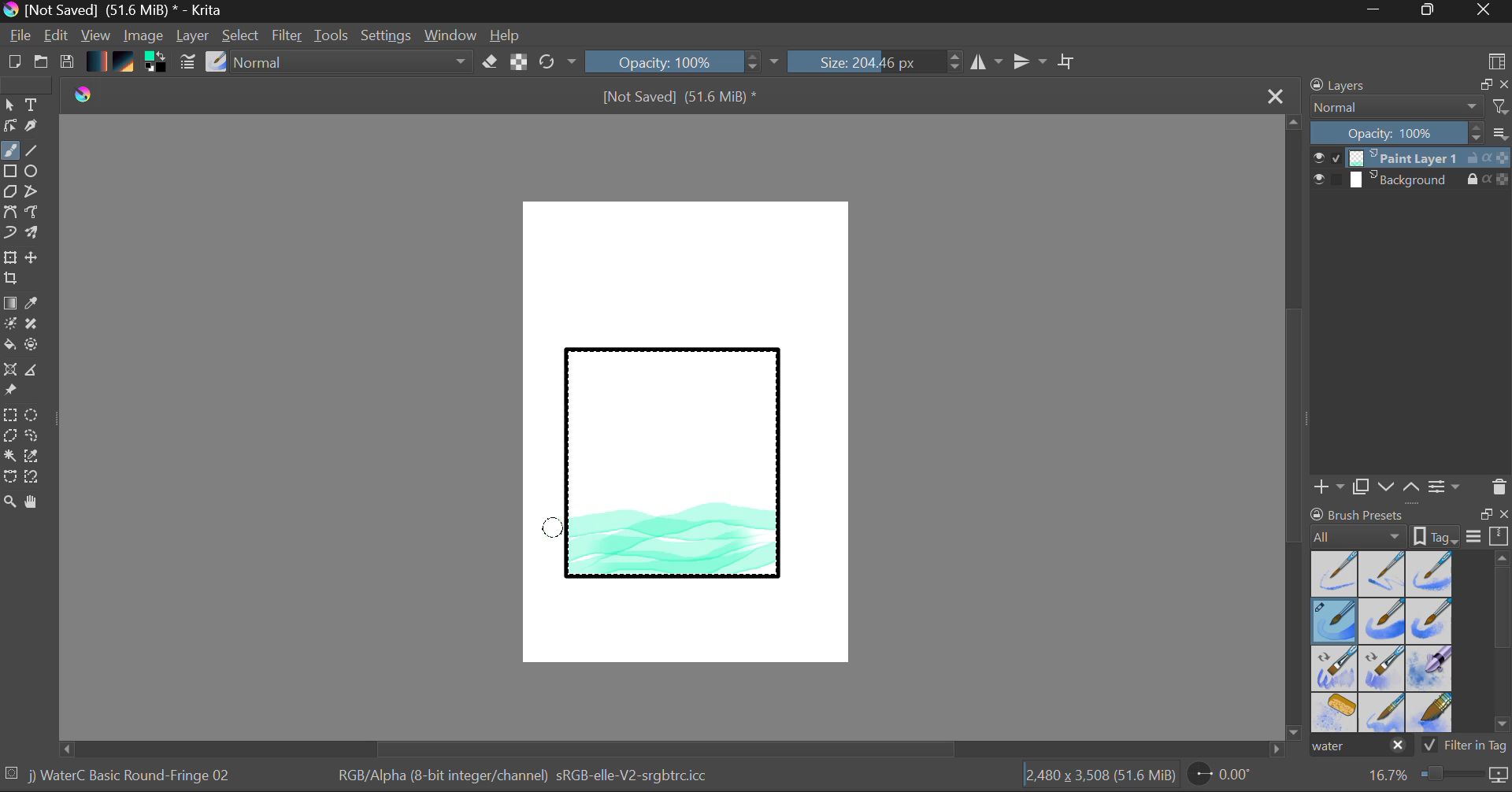  Describe the element at coordinates (186, 63) in the screenshot. I see `Brush Settings` at that location.